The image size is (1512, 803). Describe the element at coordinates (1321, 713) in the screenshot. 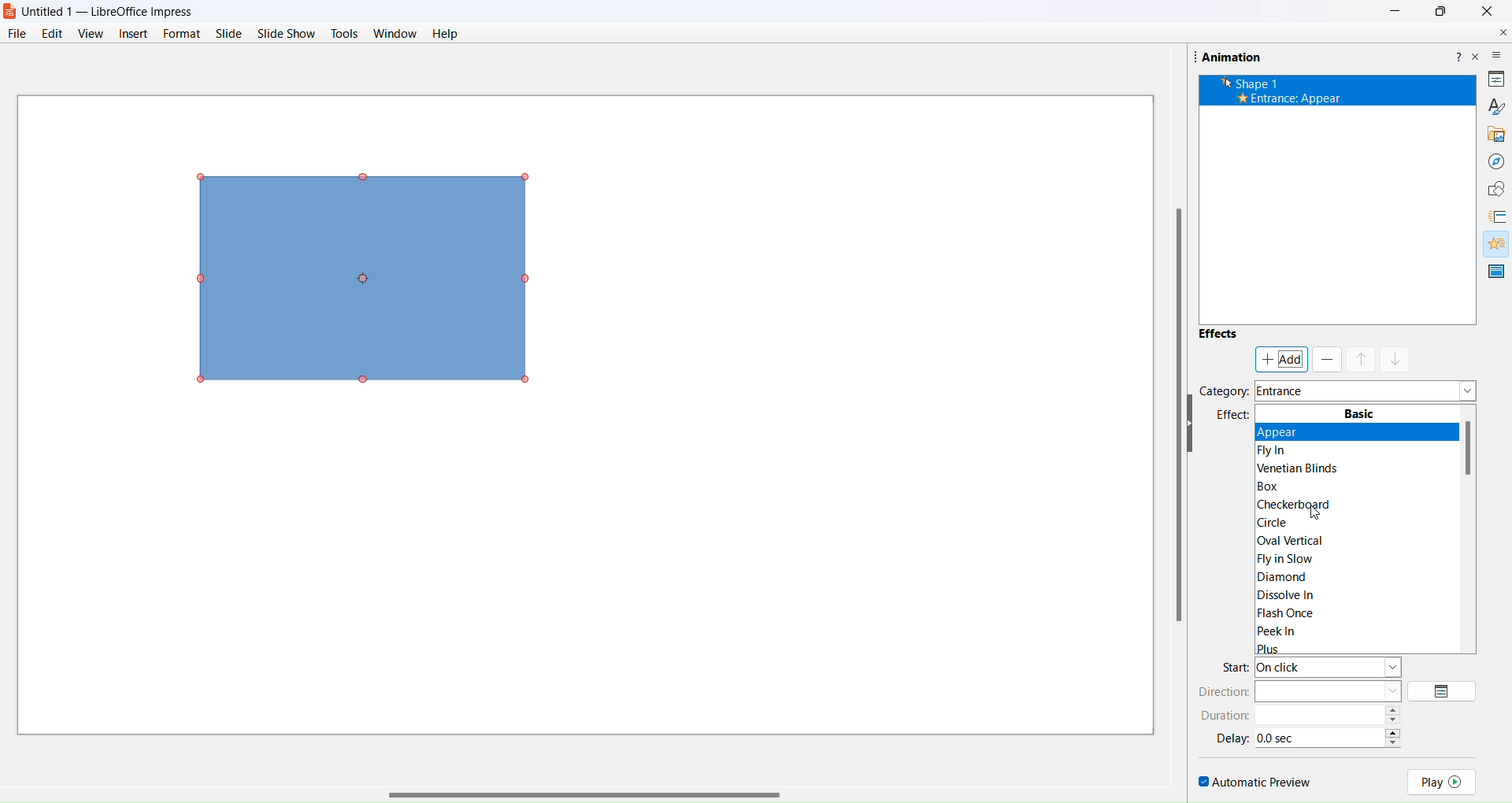

I see `time` at that location.